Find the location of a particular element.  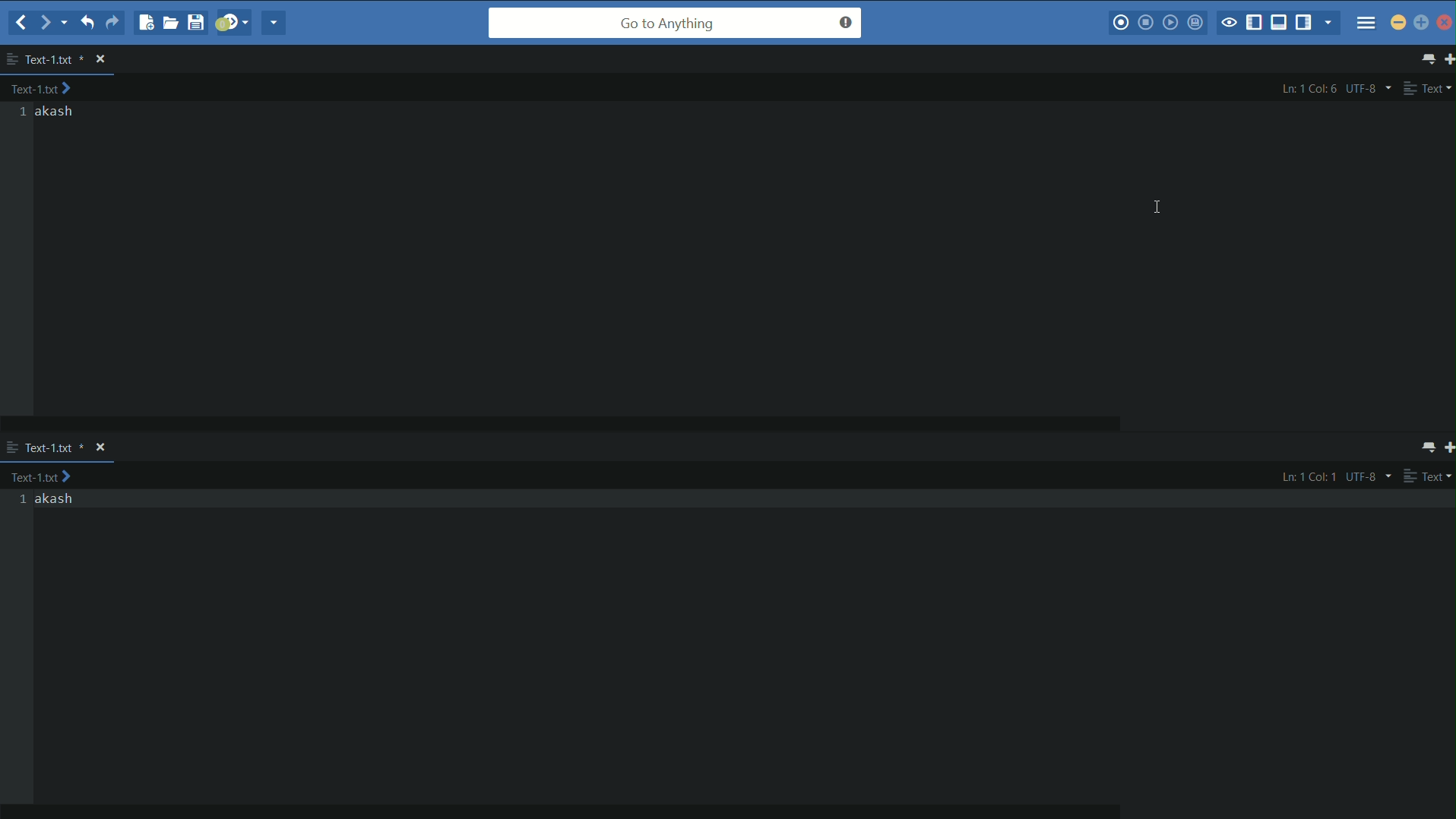

Line 1 Column 6 is located at coordinates (1310, 88).